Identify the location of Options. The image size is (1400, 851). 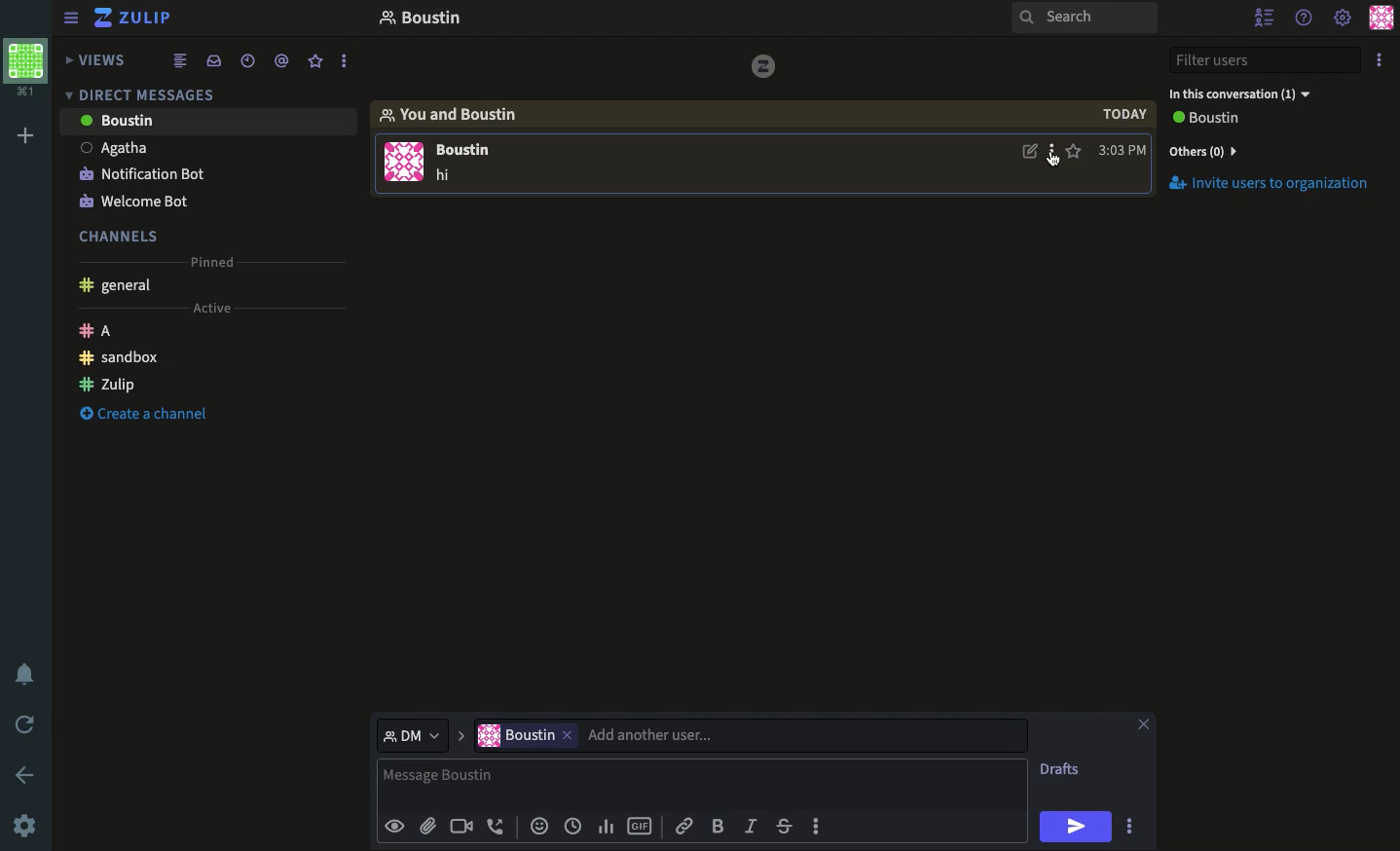
(1381, 62).